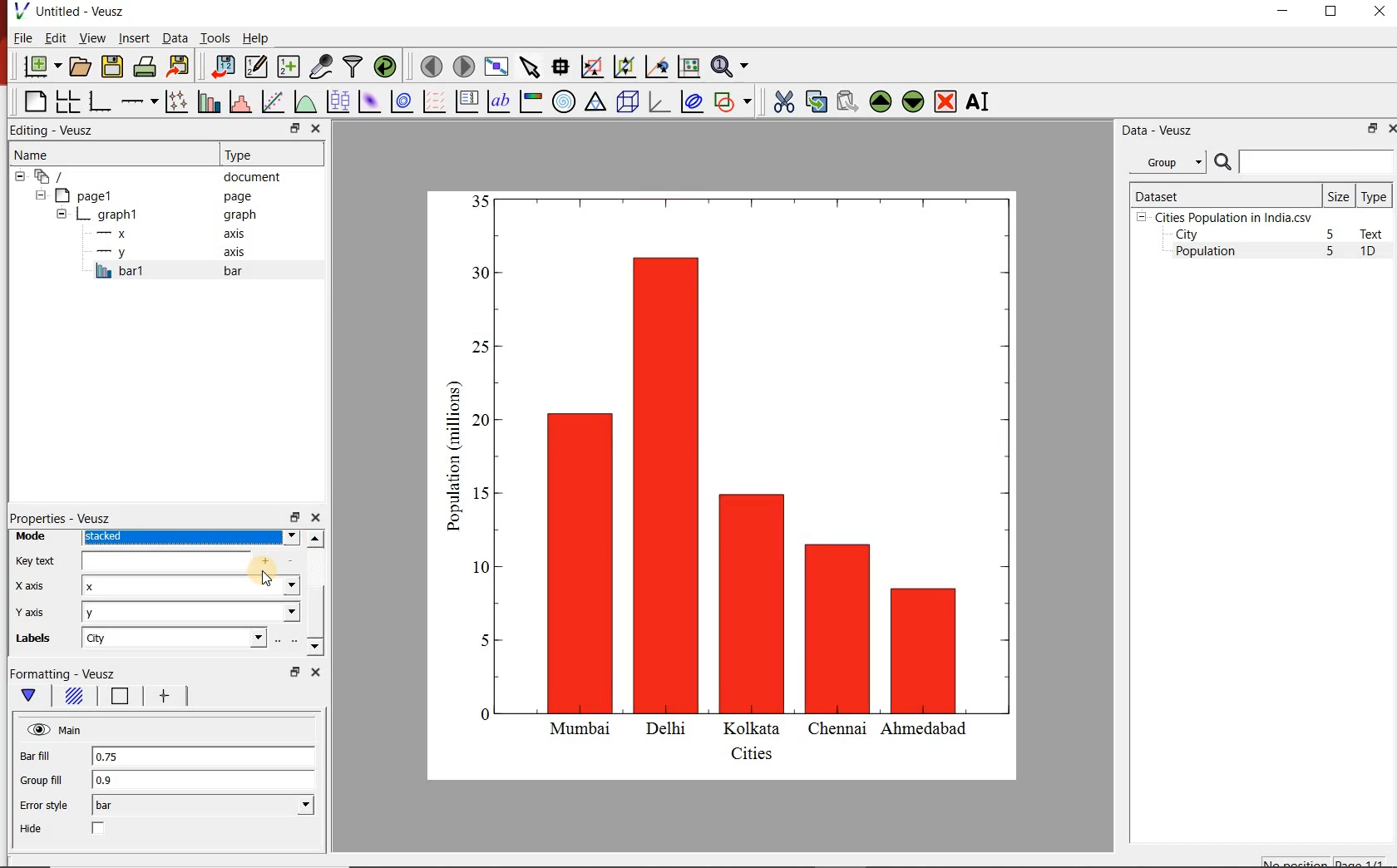 Image resolution: width=1397 pixels, height=868 pixels. What do you see at coordinates (99, 830) in the screenshot?
I see `check/uncheck` at bounding box center [99, 830].